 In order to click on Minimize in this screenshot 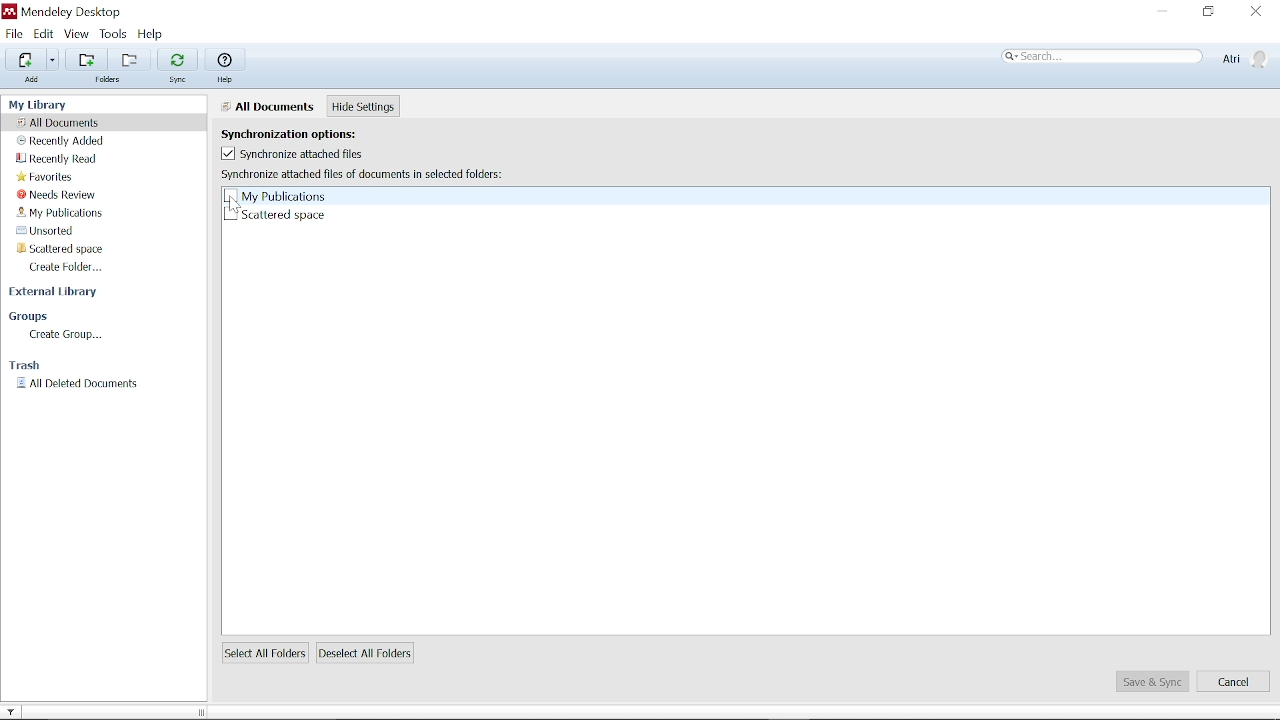, I will do `click(1164, 12)`.